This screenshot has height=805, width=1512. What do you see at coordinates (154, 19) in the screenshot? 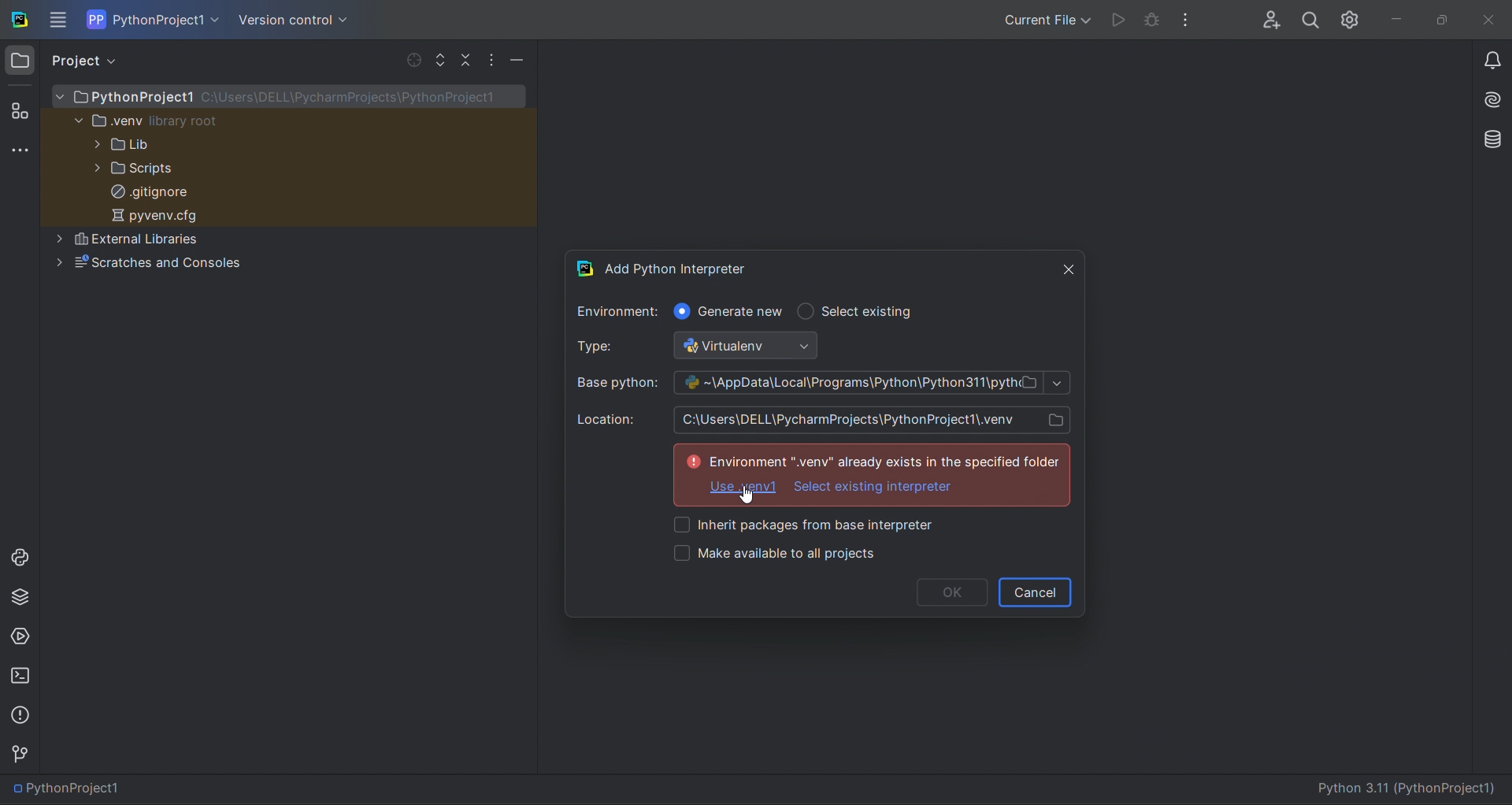
I see `current project` at bounding box center [154, 19].